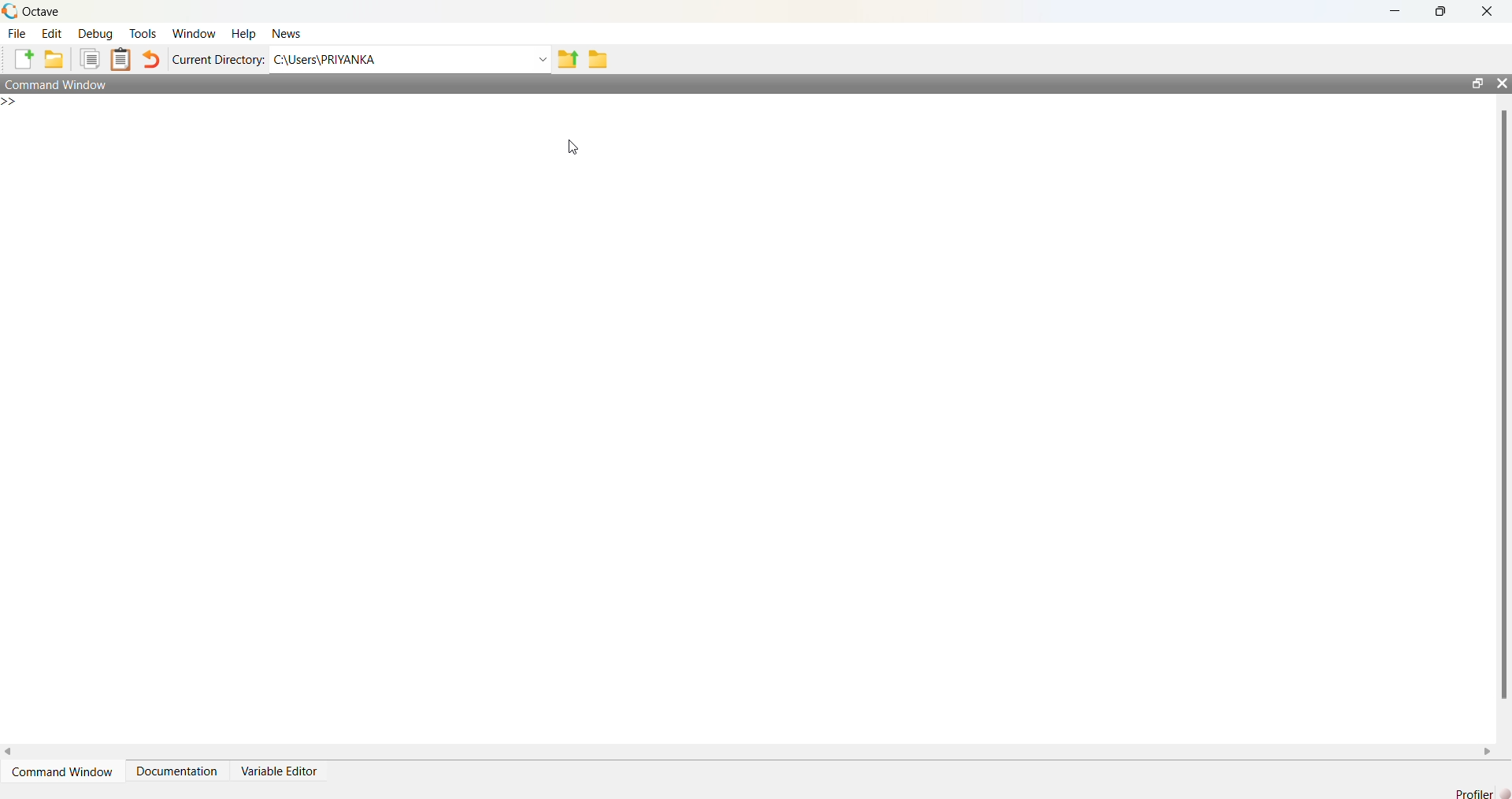  Describe the element at coordinates (750, 752) in the screenshot. I see `horizontal scroll bar` at that location.